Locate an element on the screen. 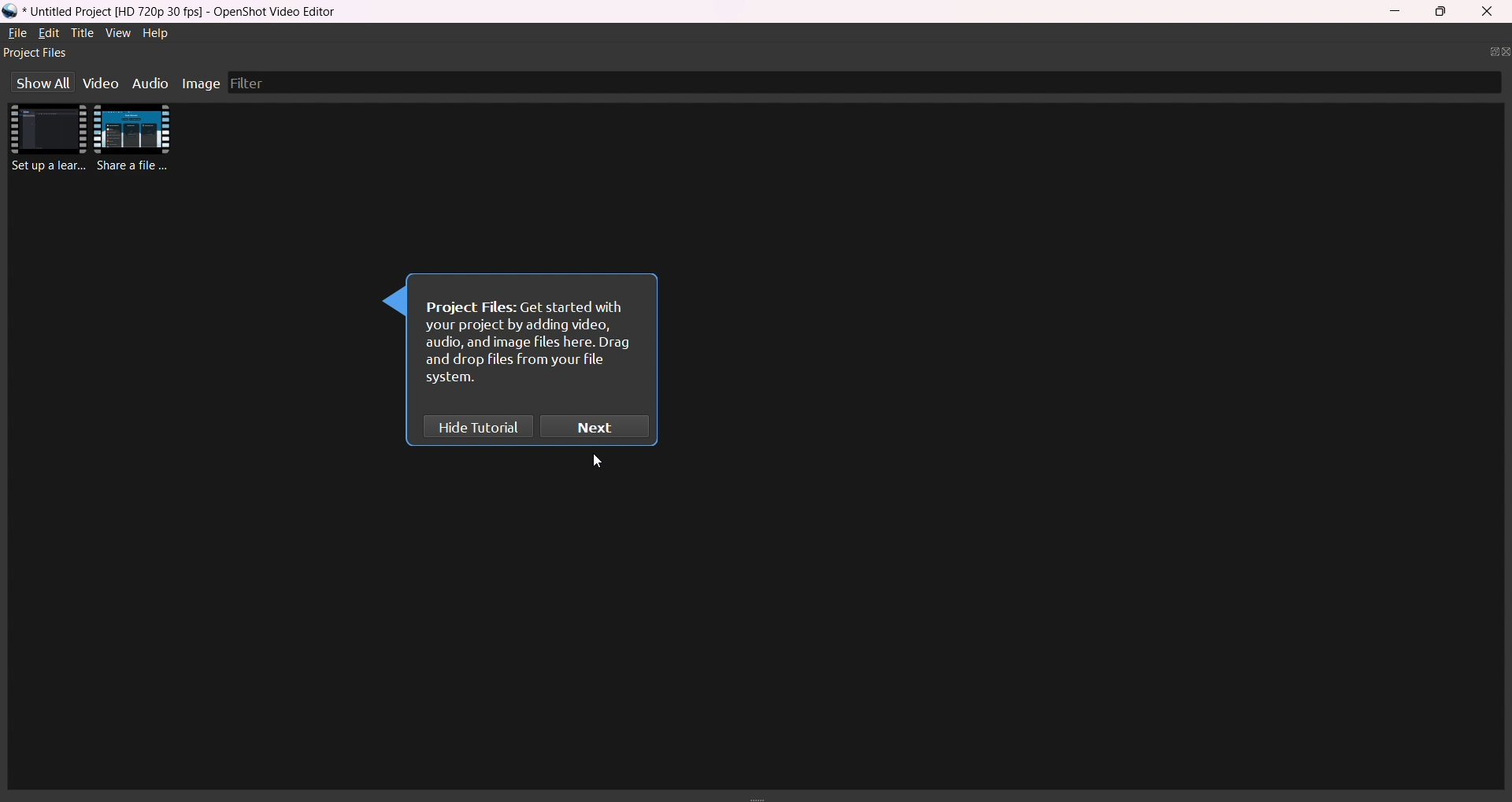  title is located at coordinates (192, 12).